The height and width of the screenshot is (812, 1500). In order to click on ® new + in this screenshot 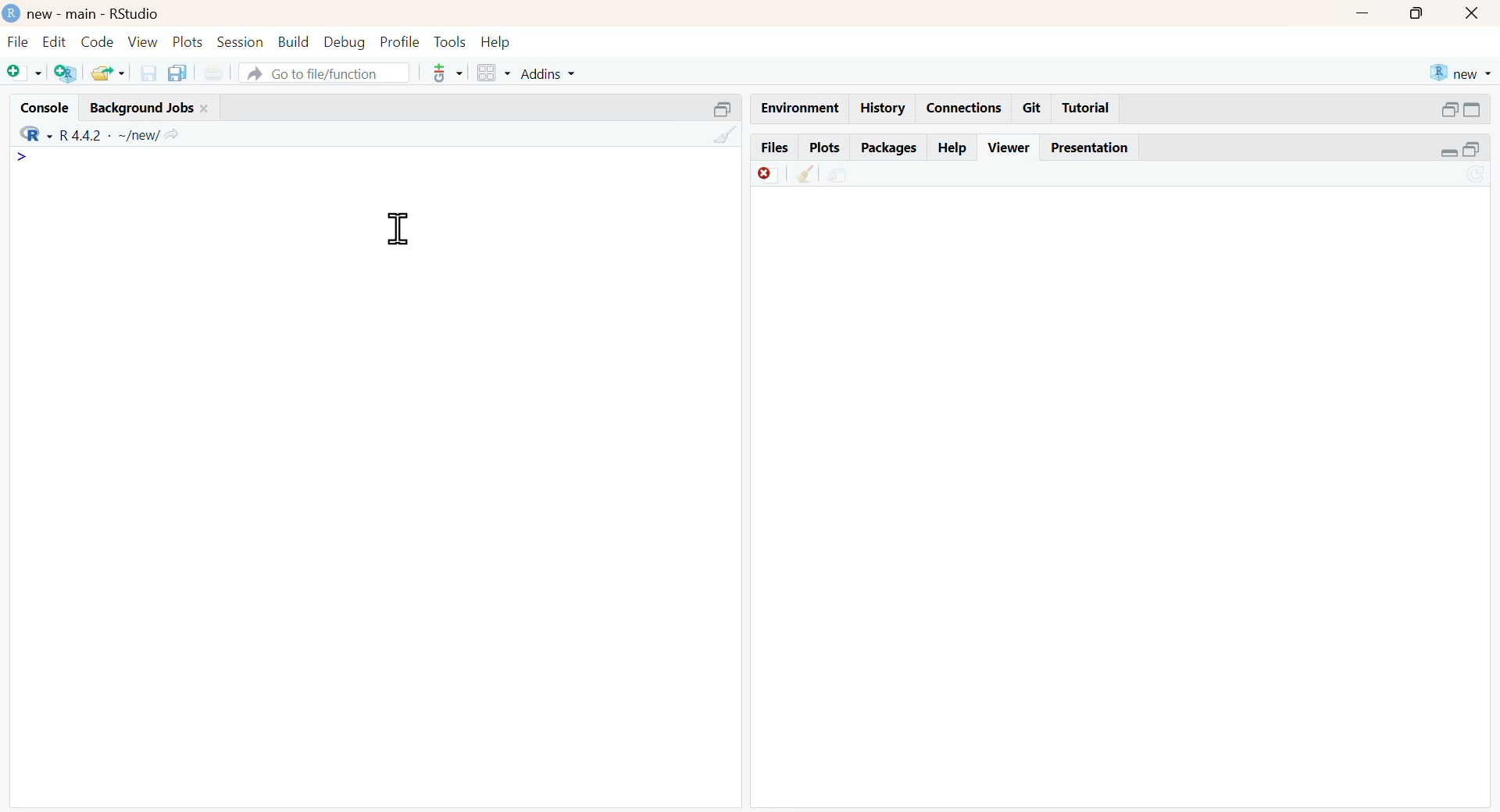, I will do `click(1463, 72)`.